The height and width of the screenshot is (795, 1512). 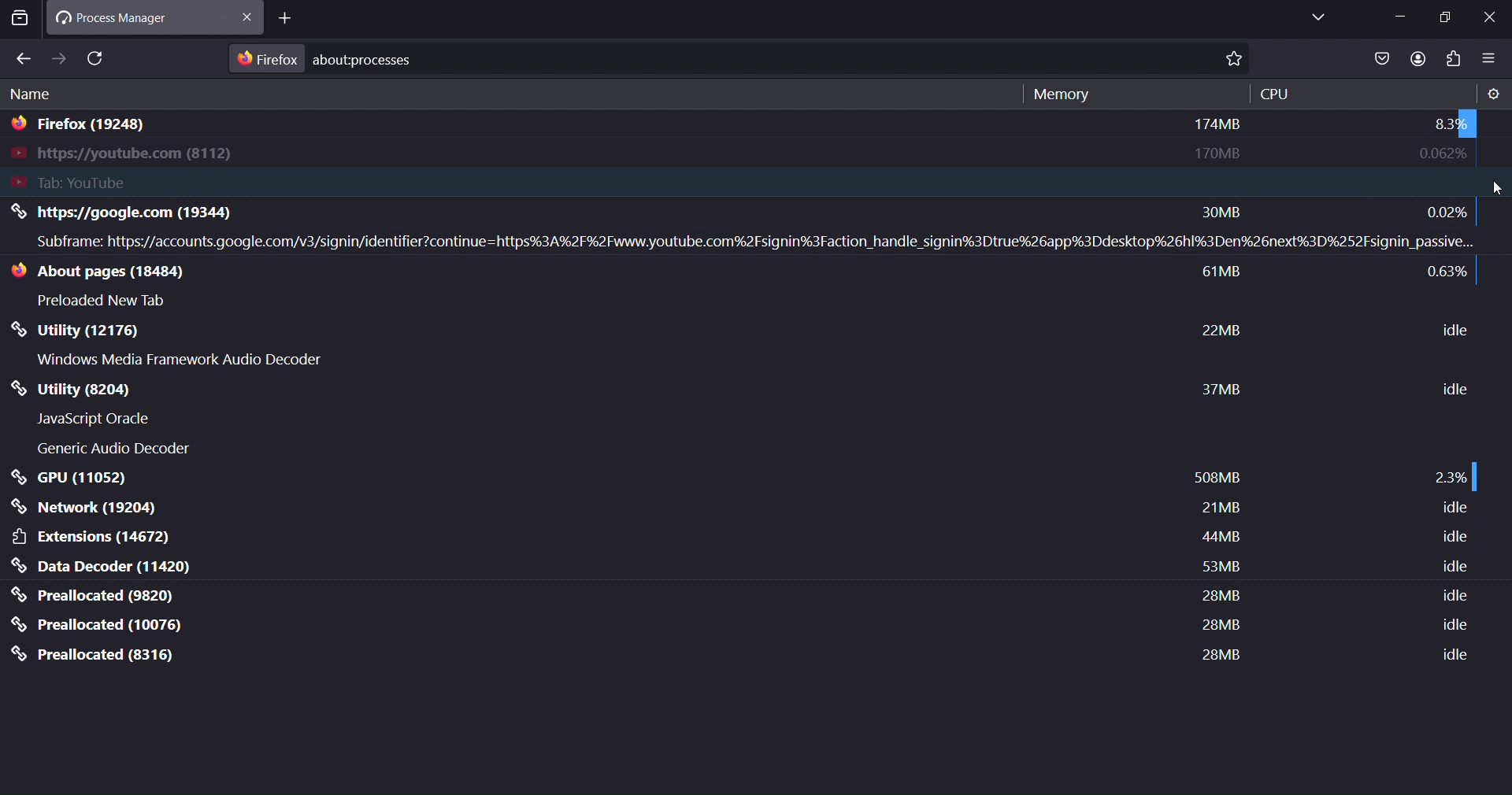 I want to click on firefox : about processes, so click(x=328, y=58).